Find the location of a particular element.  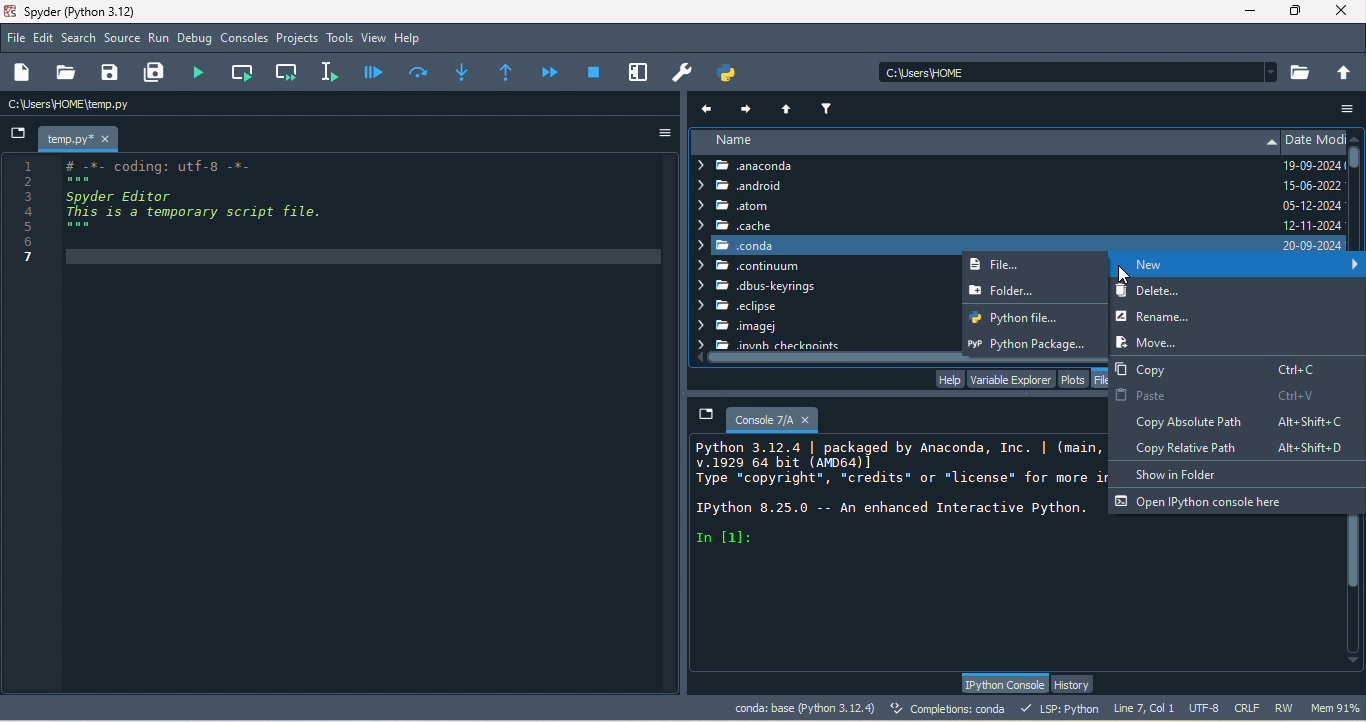

temp is located at coordinates (80, 139).